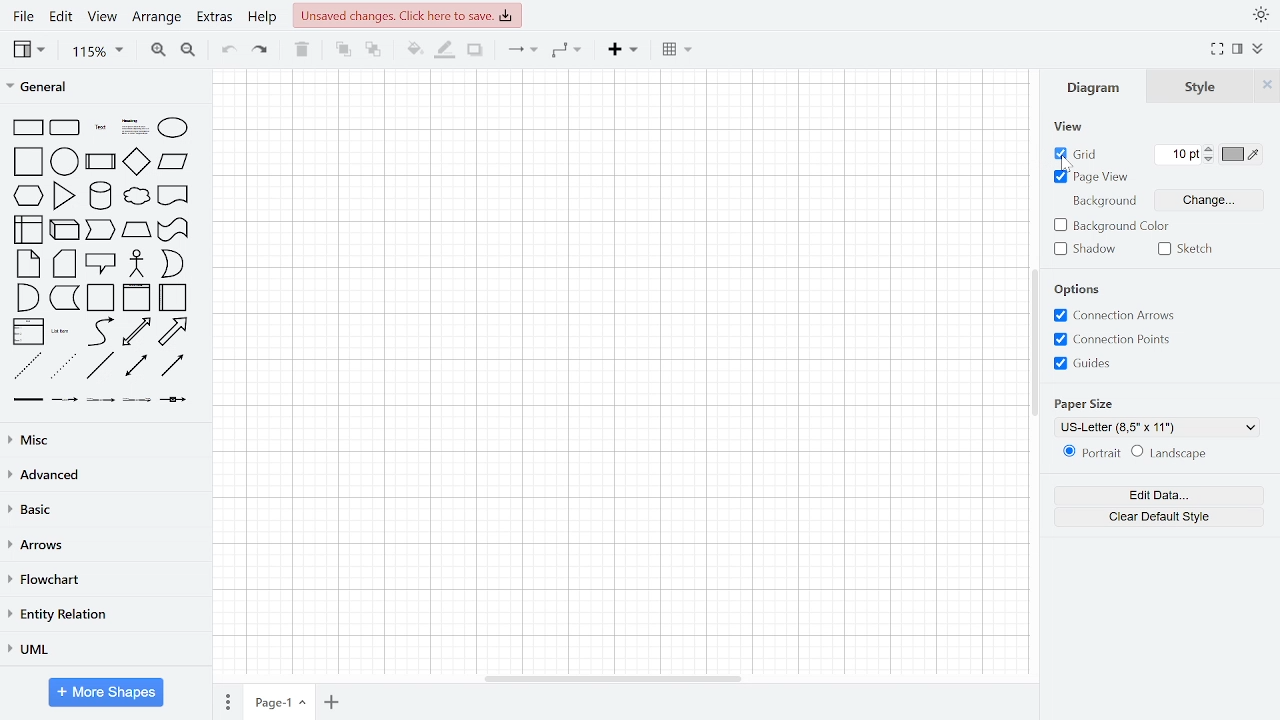  I want to click on shadow, so click(475, 50).